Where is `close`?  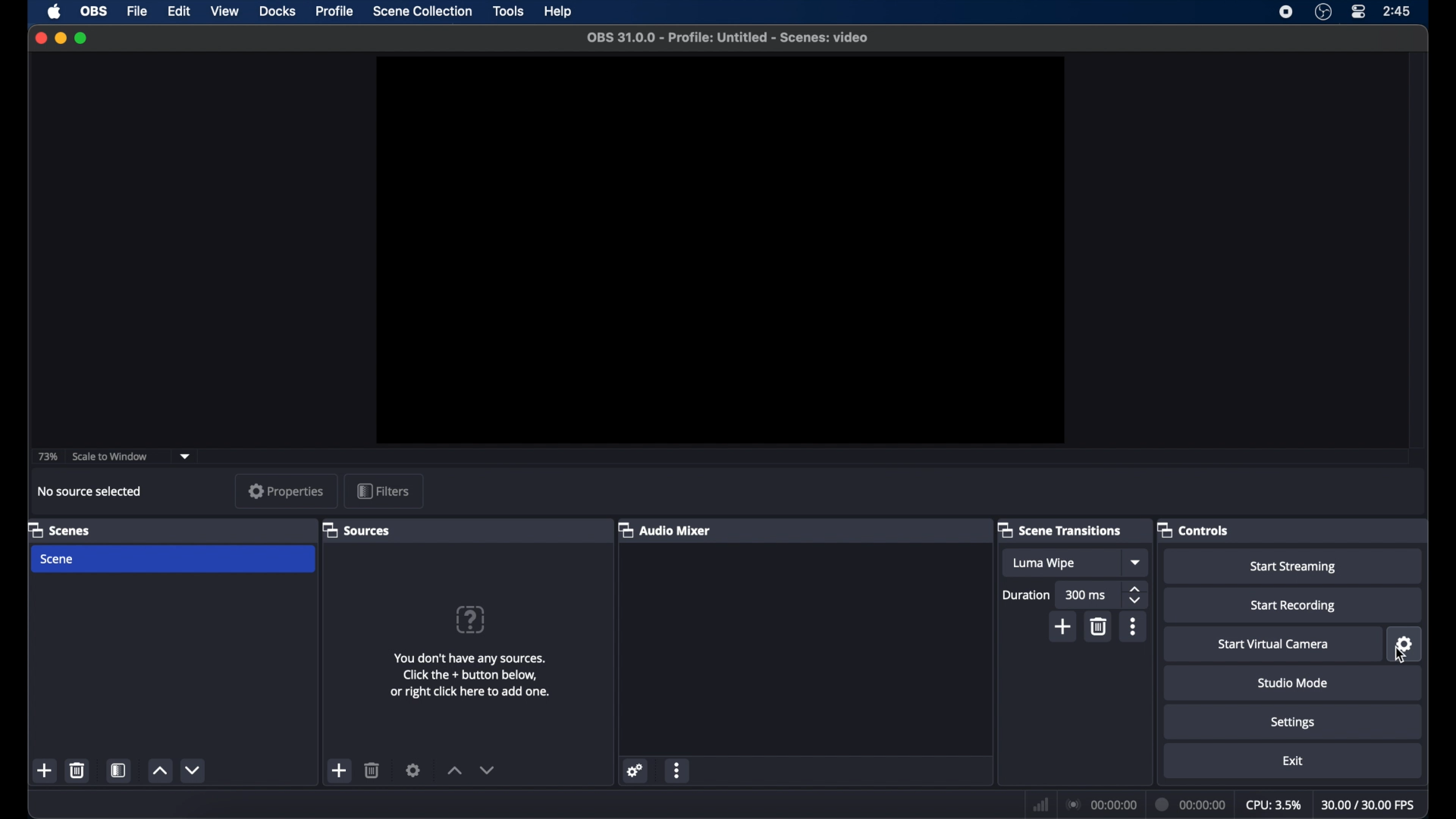 close is located at coordinates (40, 38).